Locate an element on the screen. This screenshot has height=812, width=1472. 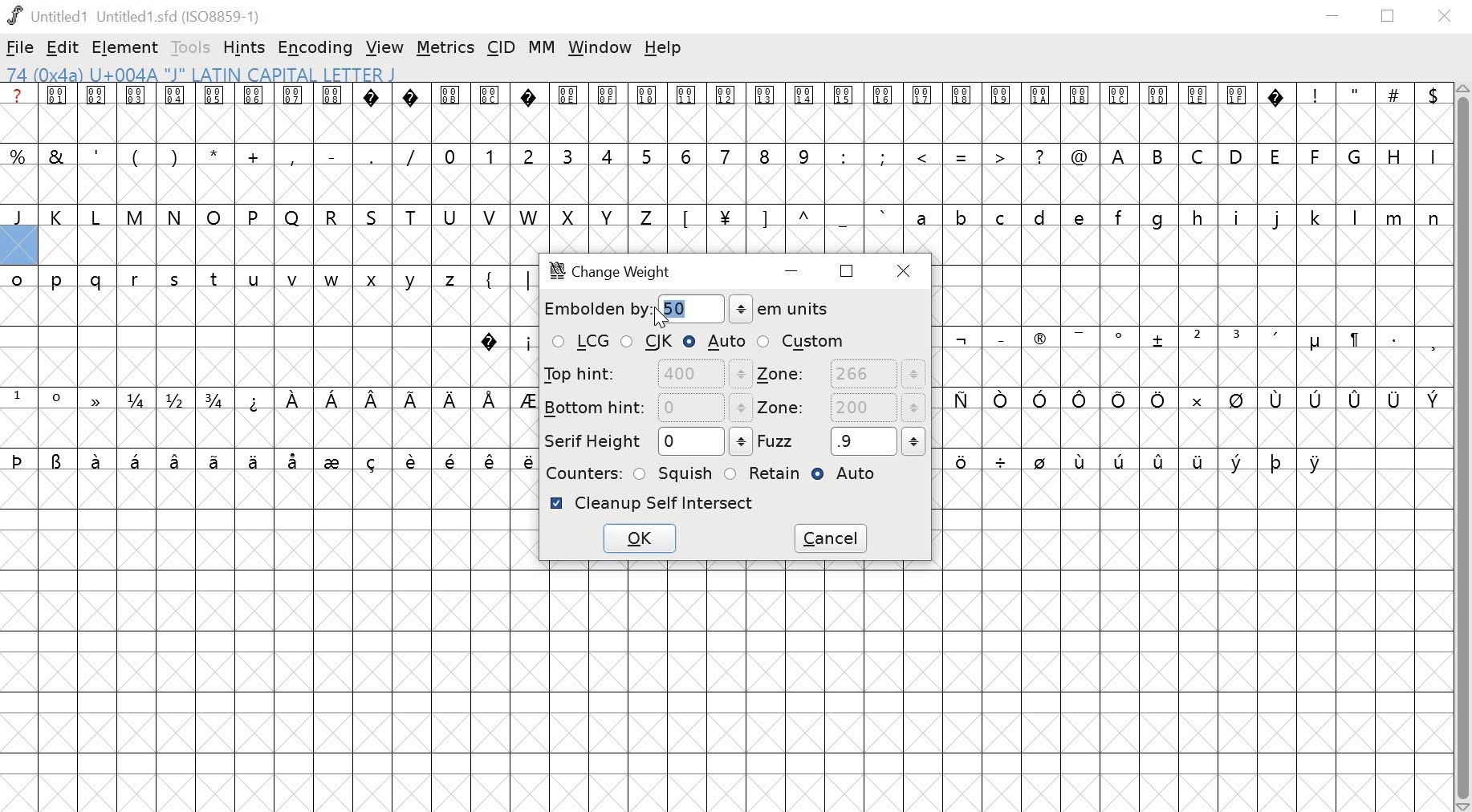
METRICS is located at coordinates (445, 49).